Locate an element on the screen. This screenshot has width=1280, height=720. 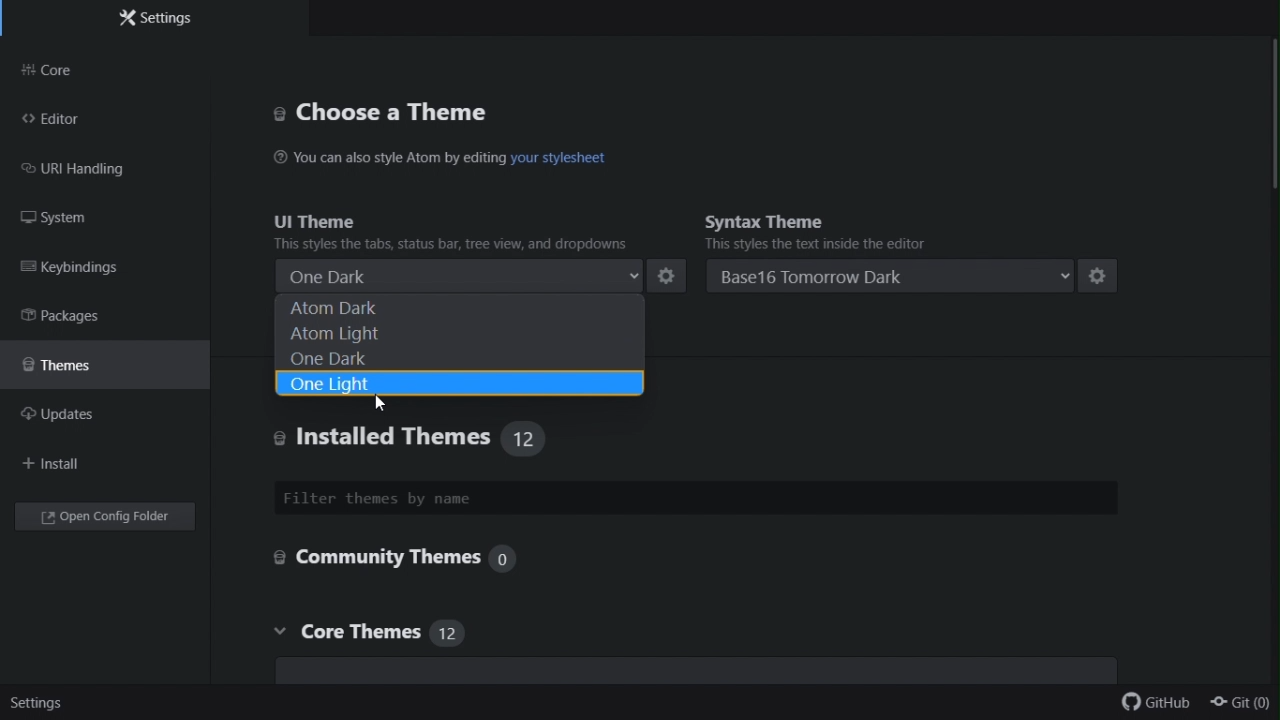
Syntax theme is located at coordinates (885, 216).